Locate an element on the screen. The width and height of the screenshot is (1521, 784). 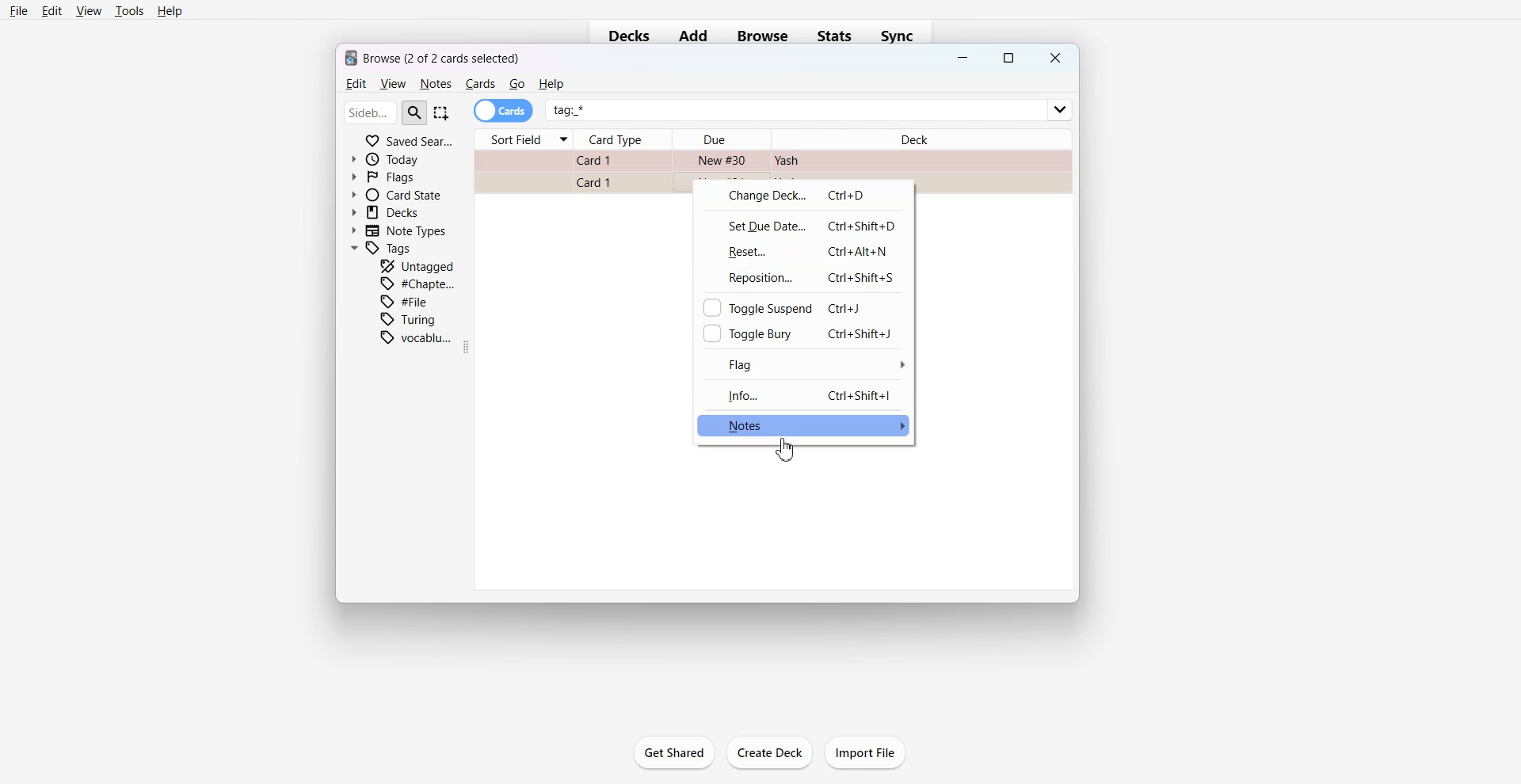
Reposition is located at coordinates (803, 278).